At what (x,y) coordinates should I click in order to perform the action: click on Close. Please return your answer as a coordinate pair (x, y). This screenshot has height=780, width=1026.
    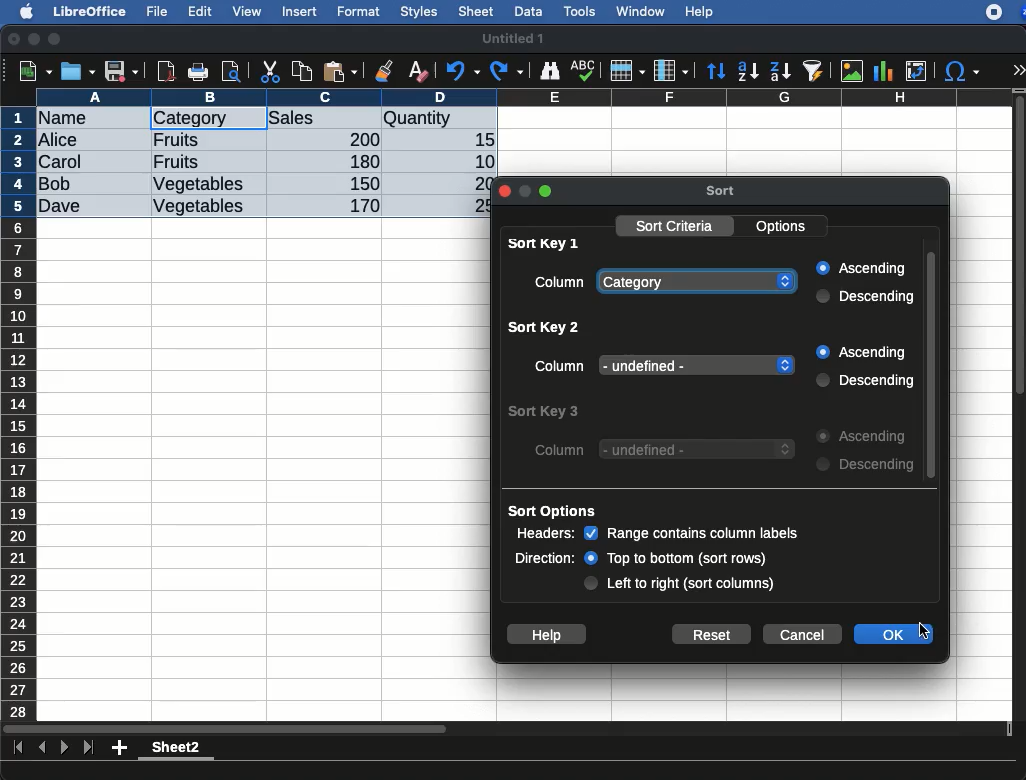
    Looking at the image, I should click on (503, 190).